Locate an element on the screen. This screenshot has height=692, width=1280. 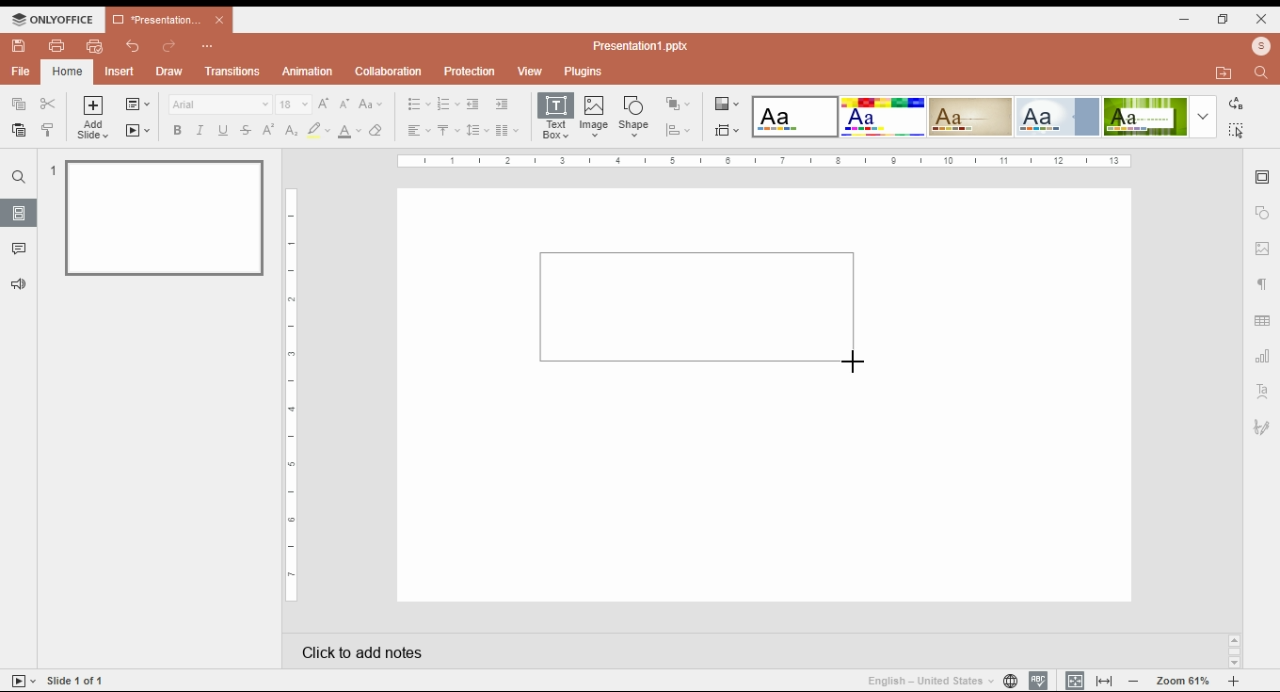
open file location is located at coordinates (1227, 72).